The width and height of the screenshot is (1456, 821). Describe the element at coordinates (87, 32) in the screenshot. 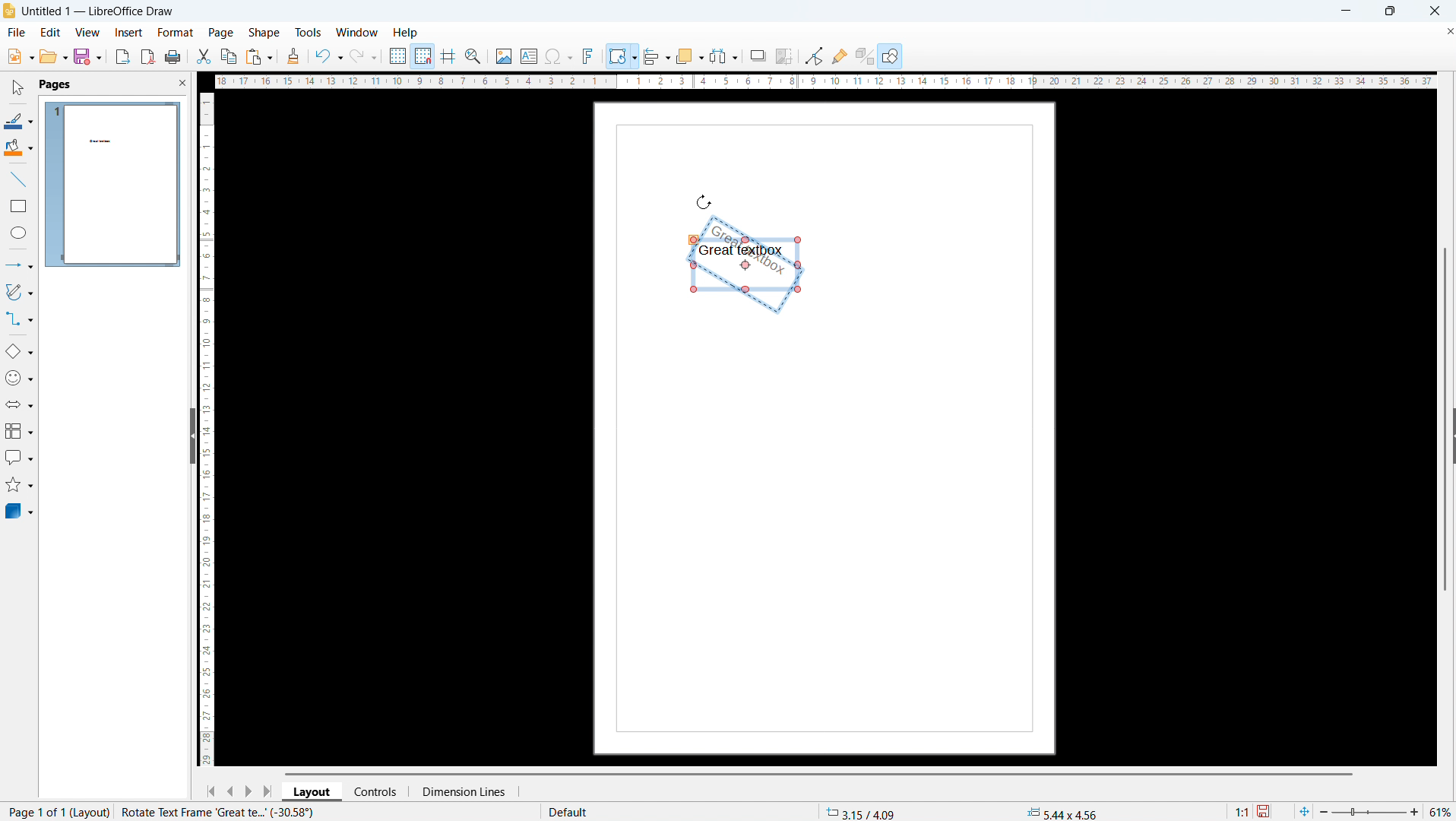

I see `view` at that location.